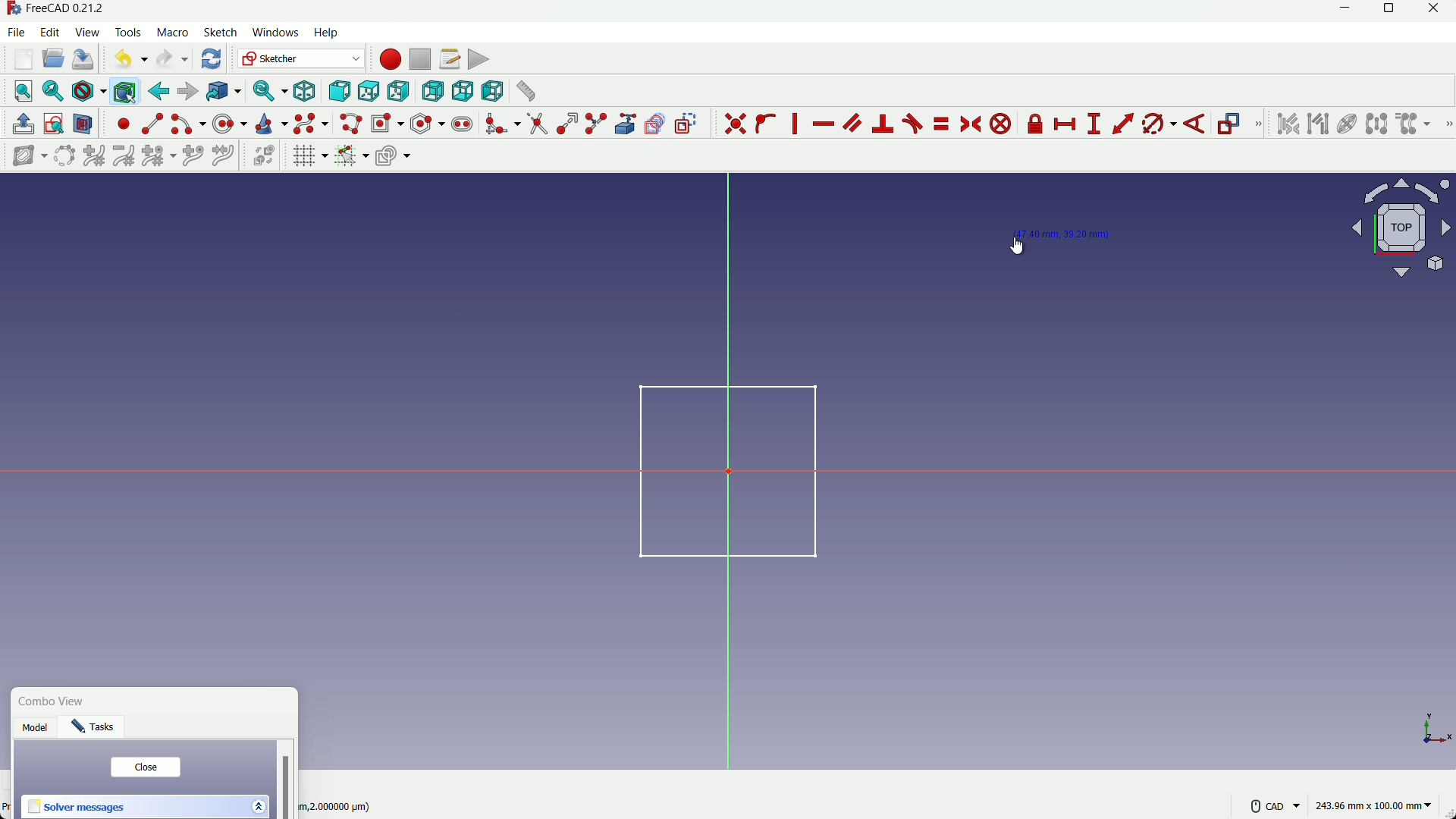 Image resolution: width=1456 pixels, height=819 pixels. I want to click on convert geometry to B spiline, so click(61, 157).